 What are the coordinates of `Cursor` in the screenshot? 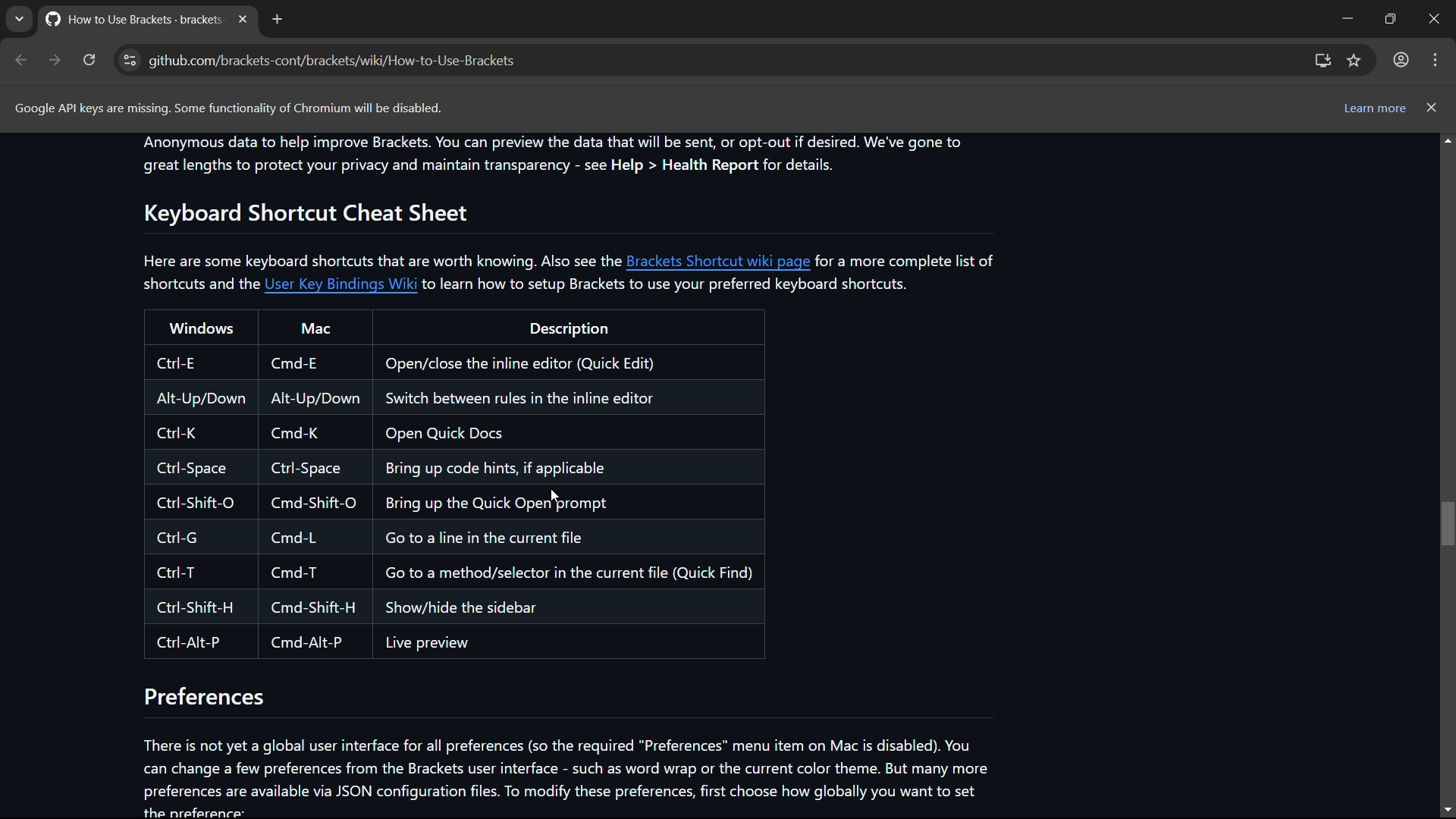 It's located at (555, 496).